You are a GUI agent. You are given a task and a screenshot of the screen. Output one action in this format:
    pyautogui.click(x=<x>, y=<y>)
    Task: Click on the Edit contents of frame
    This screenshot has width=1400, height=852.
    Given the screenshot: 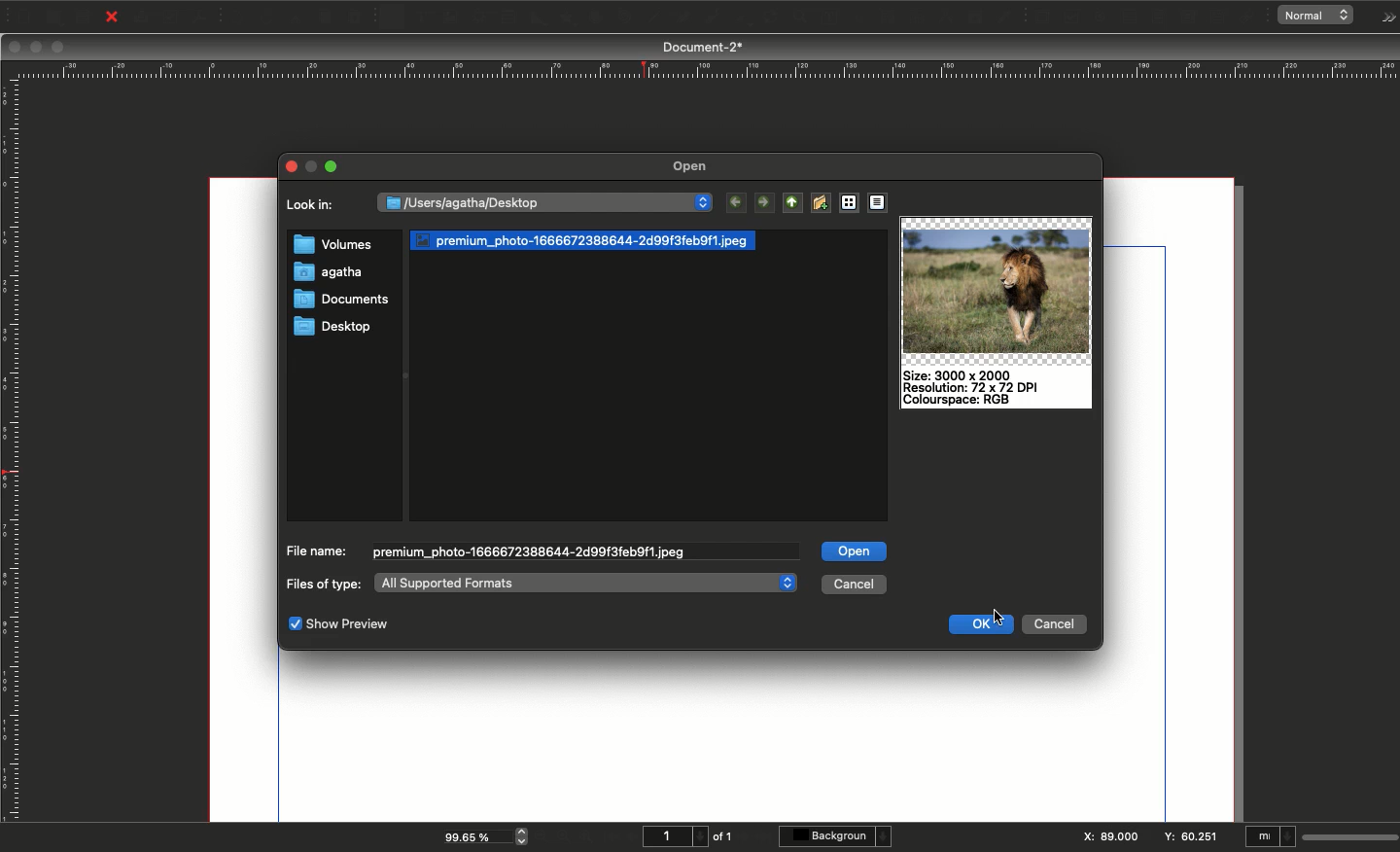 What is the action you would take?
    pyautogui.click(x=810, y=18)
    